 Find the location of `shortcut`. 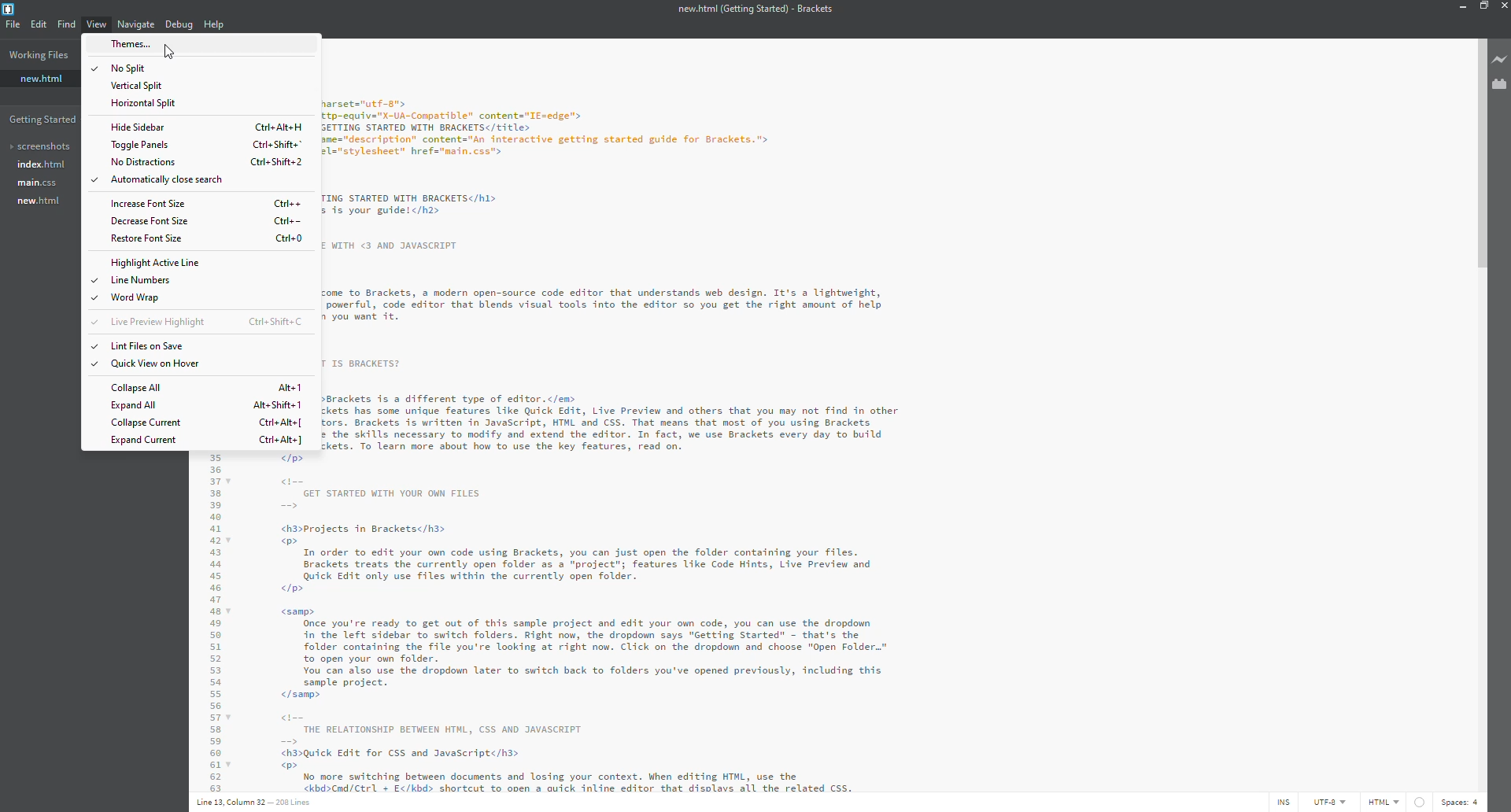

shortcut is located at coordinates (286, 220).